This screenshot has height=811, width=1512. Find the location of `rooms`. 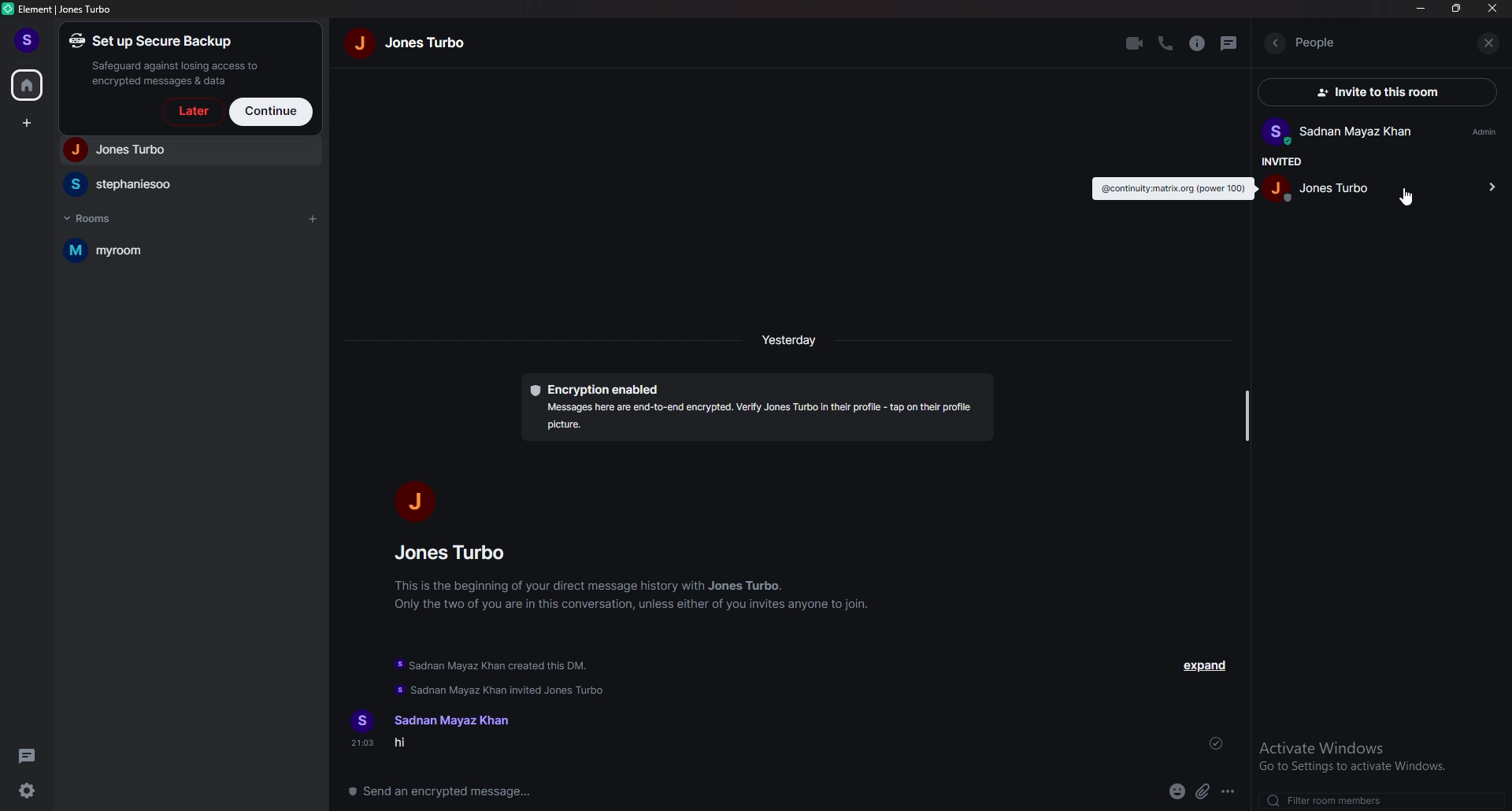

rooms is located at coordinates (95, 217).